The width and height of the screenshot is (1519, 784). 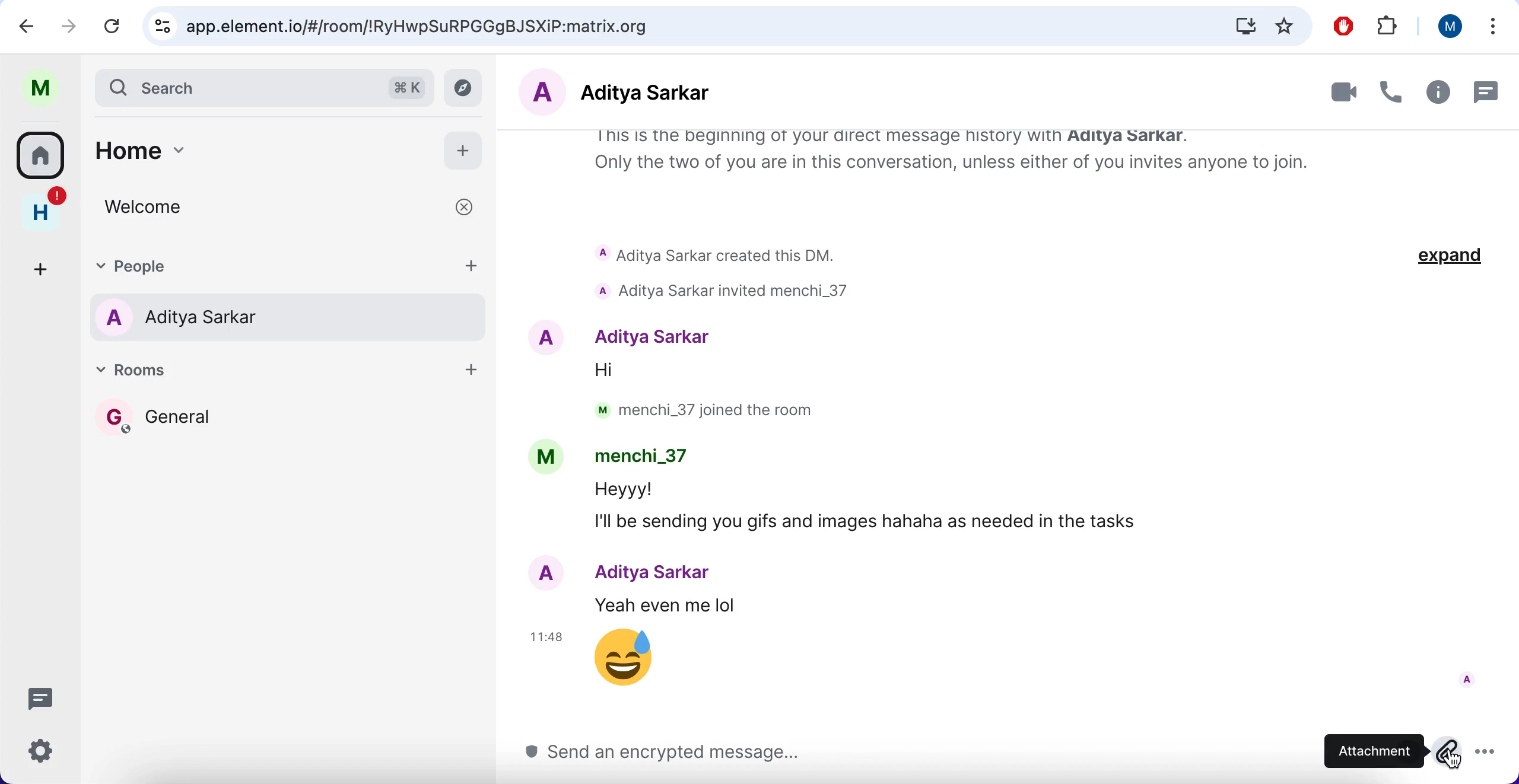 I want to click on Aditya Sarkar, so click(x=648, y=571).